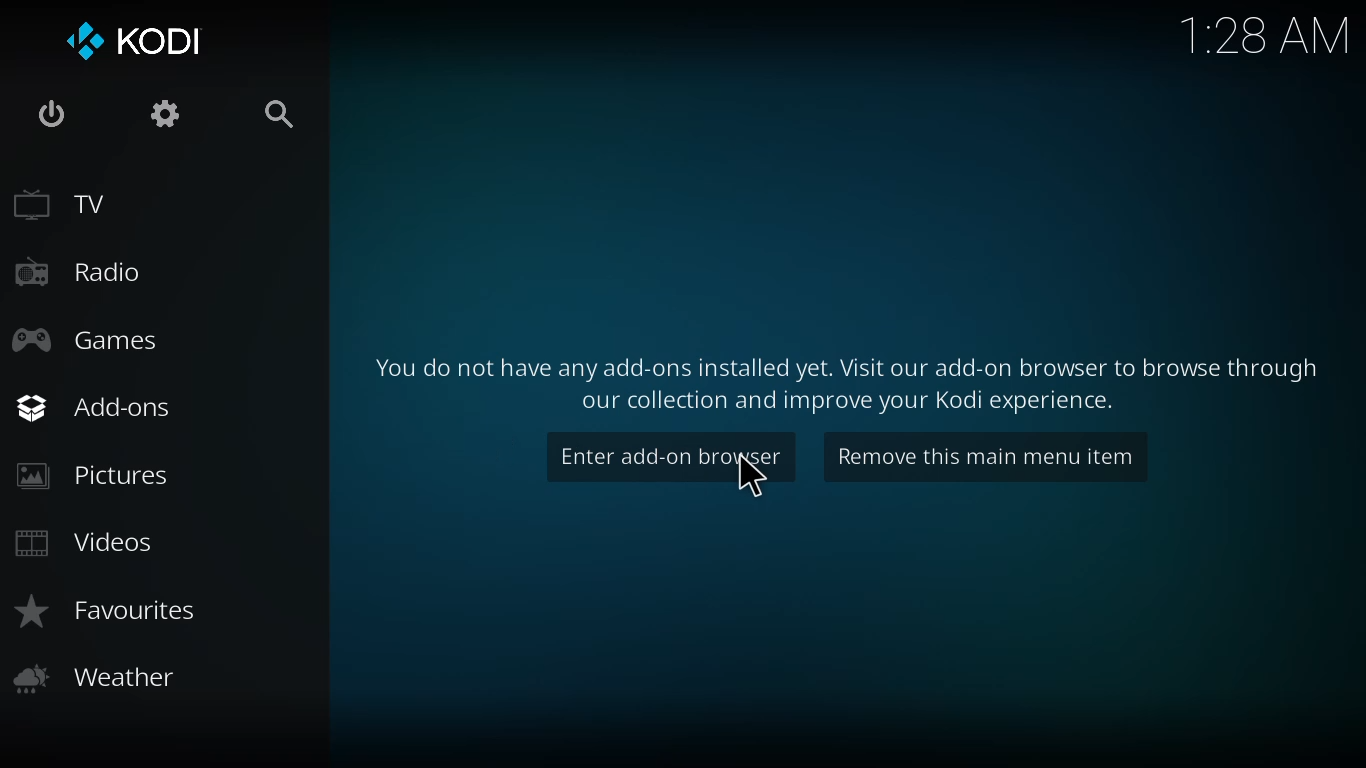 This screenshot has width=1366, height=768. What do you see at coordinates (48, 115) in the screenshot?
I see `power` at bounding box center [48, 115].